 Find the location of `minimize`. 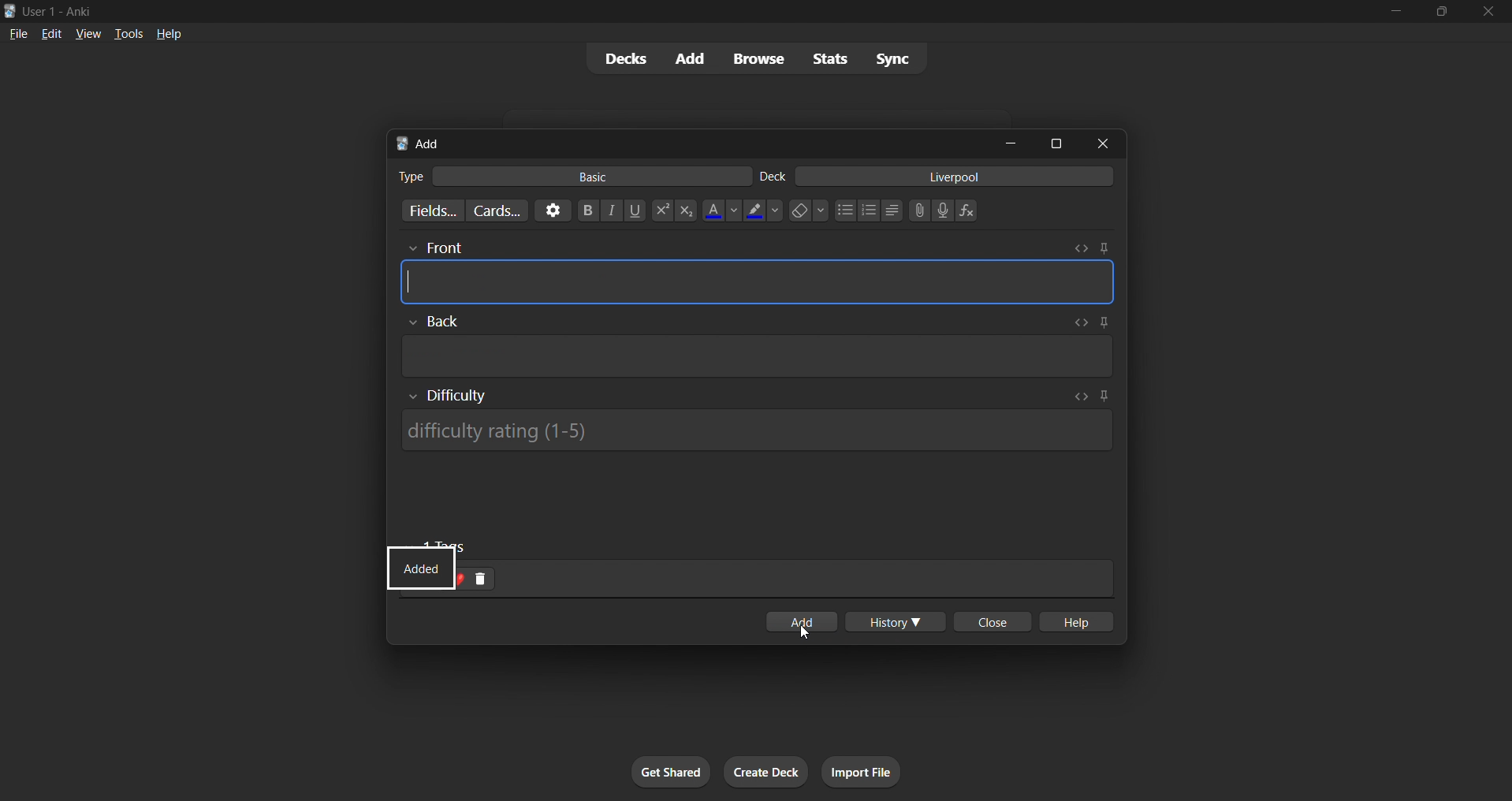

minimize is located at coordinates (1014, 144).